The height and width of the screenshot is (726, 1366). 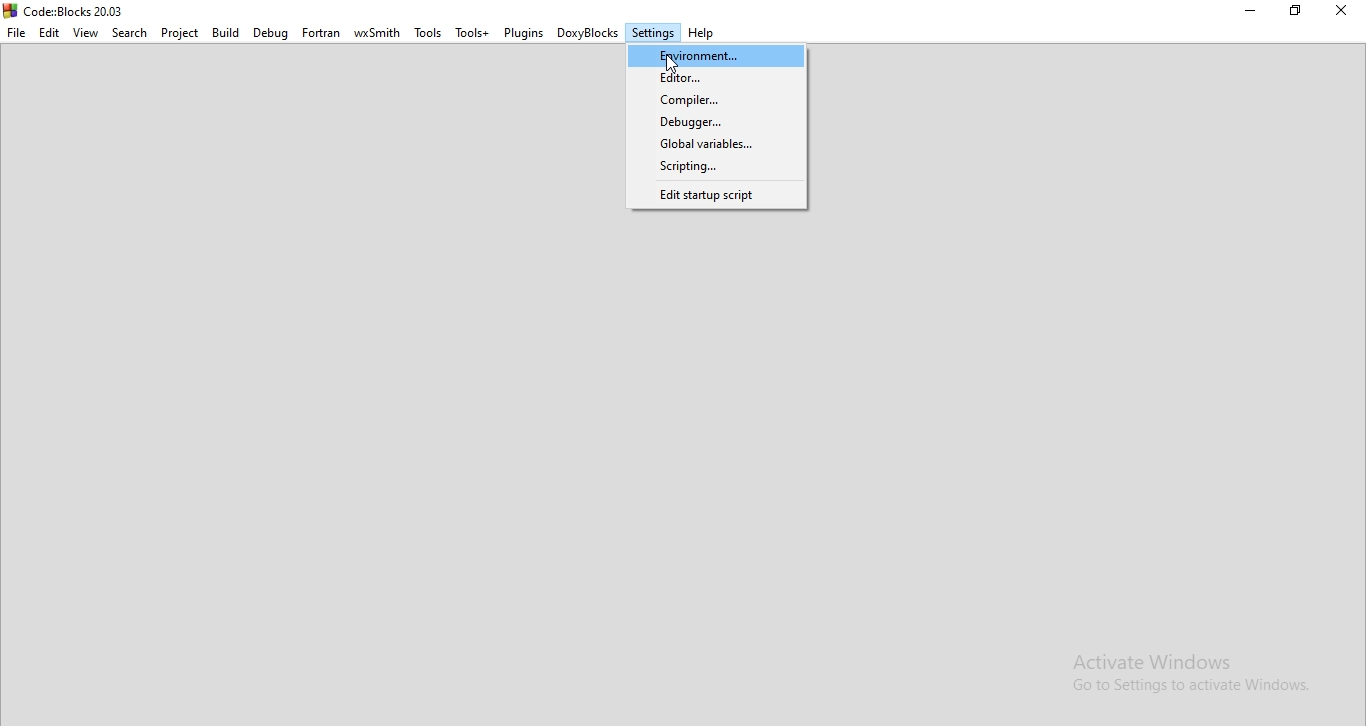 I want to click on Search, so click(x=131, y=34).